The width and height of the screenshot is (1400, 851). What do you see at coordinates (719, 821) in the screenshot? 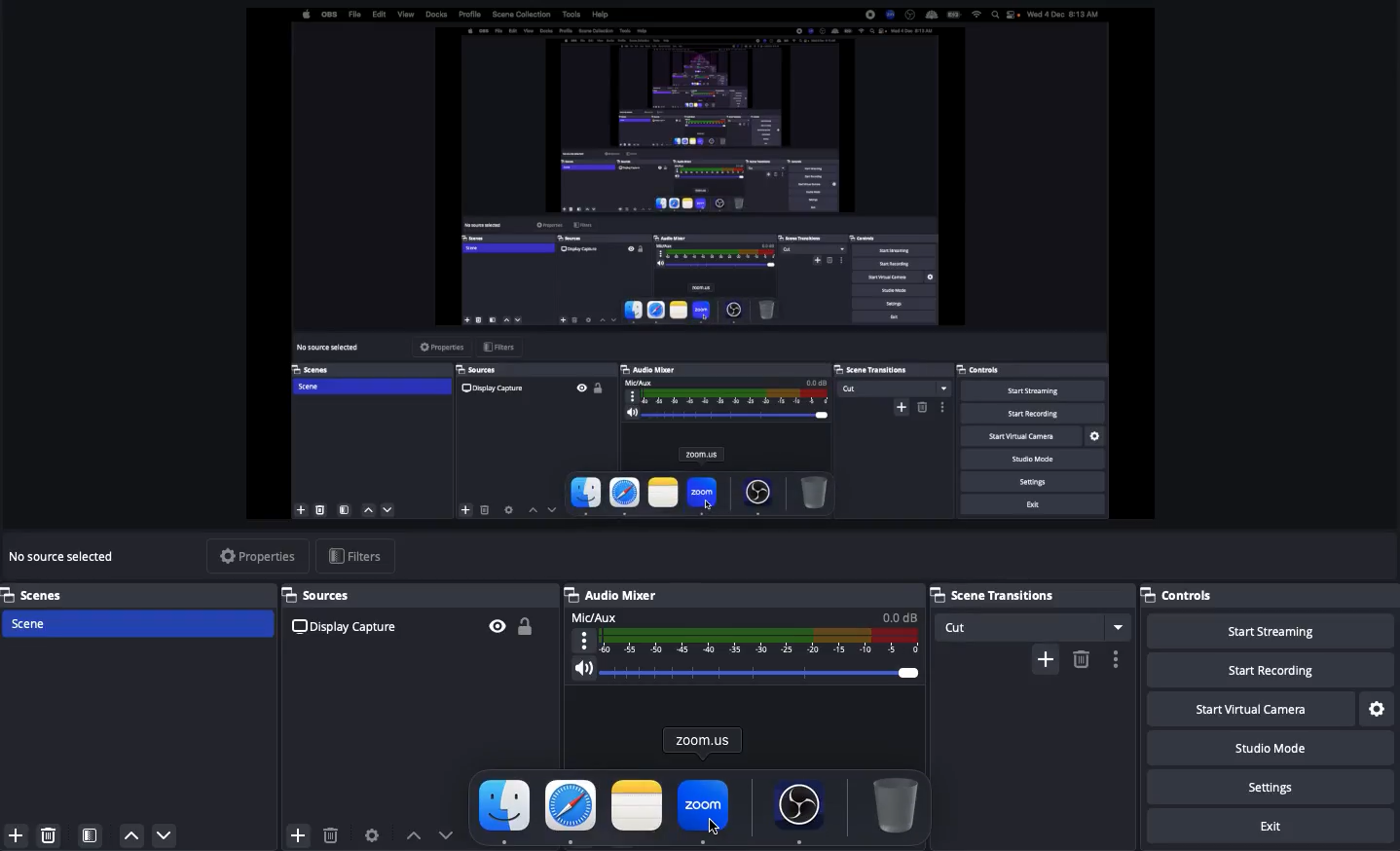
I see `cursor` at bounding box center [719, 821].